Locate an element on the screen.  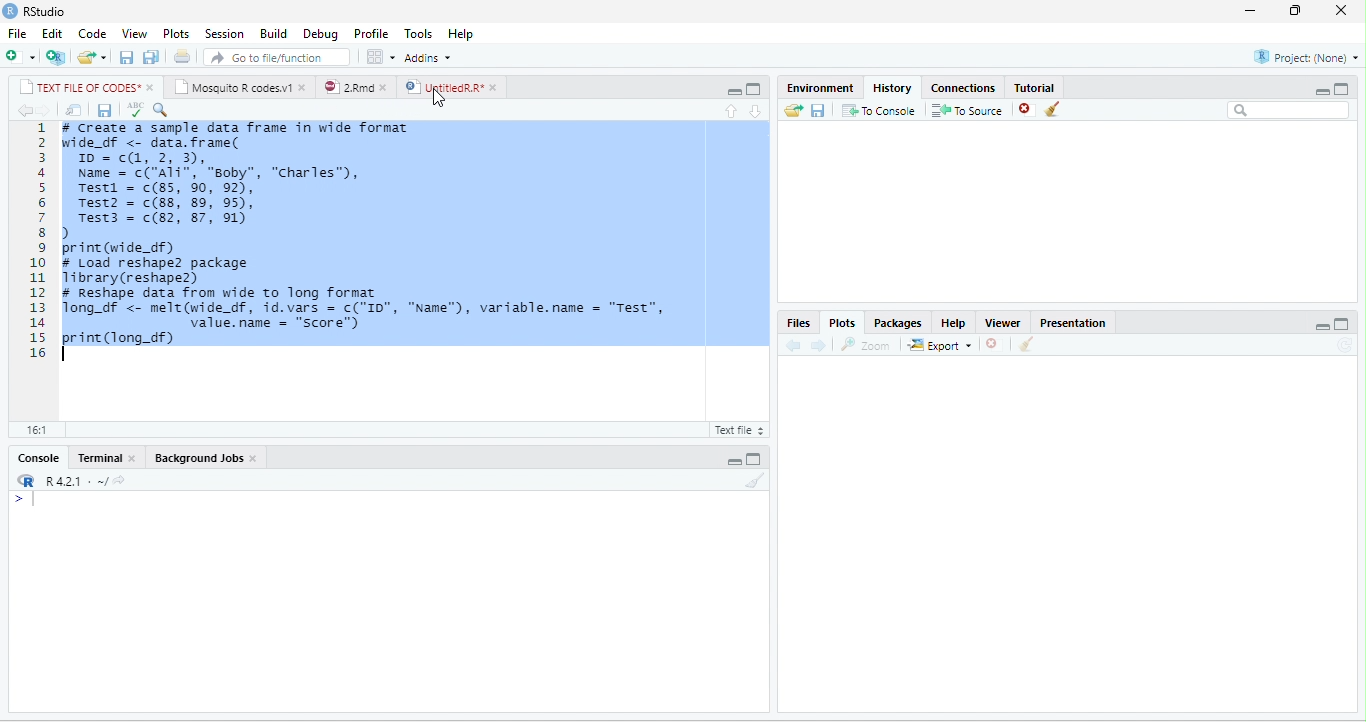
2.Rmd is located at coordinates (348, 87).